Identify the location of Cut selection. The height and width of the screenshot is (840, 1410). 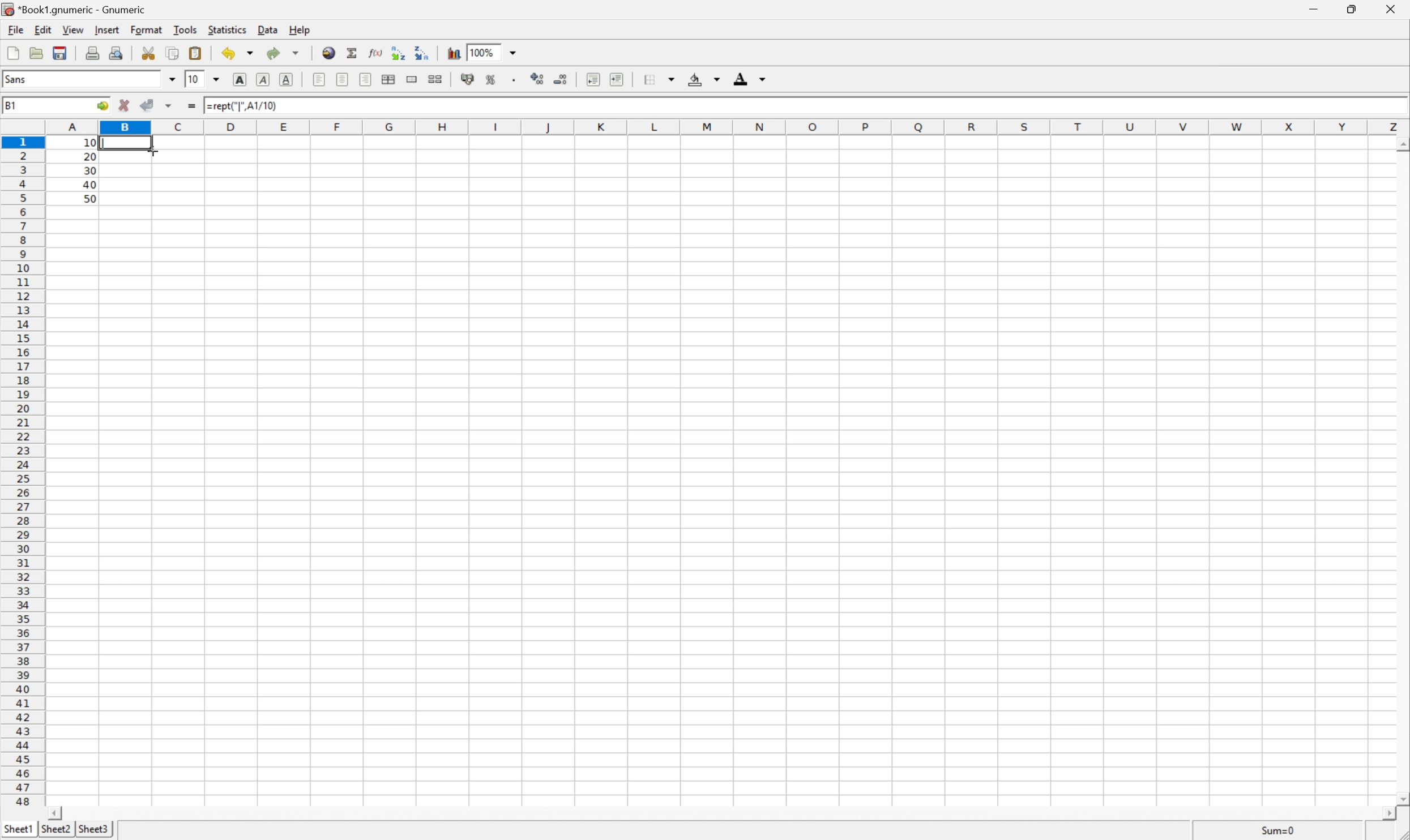
(148, 53).